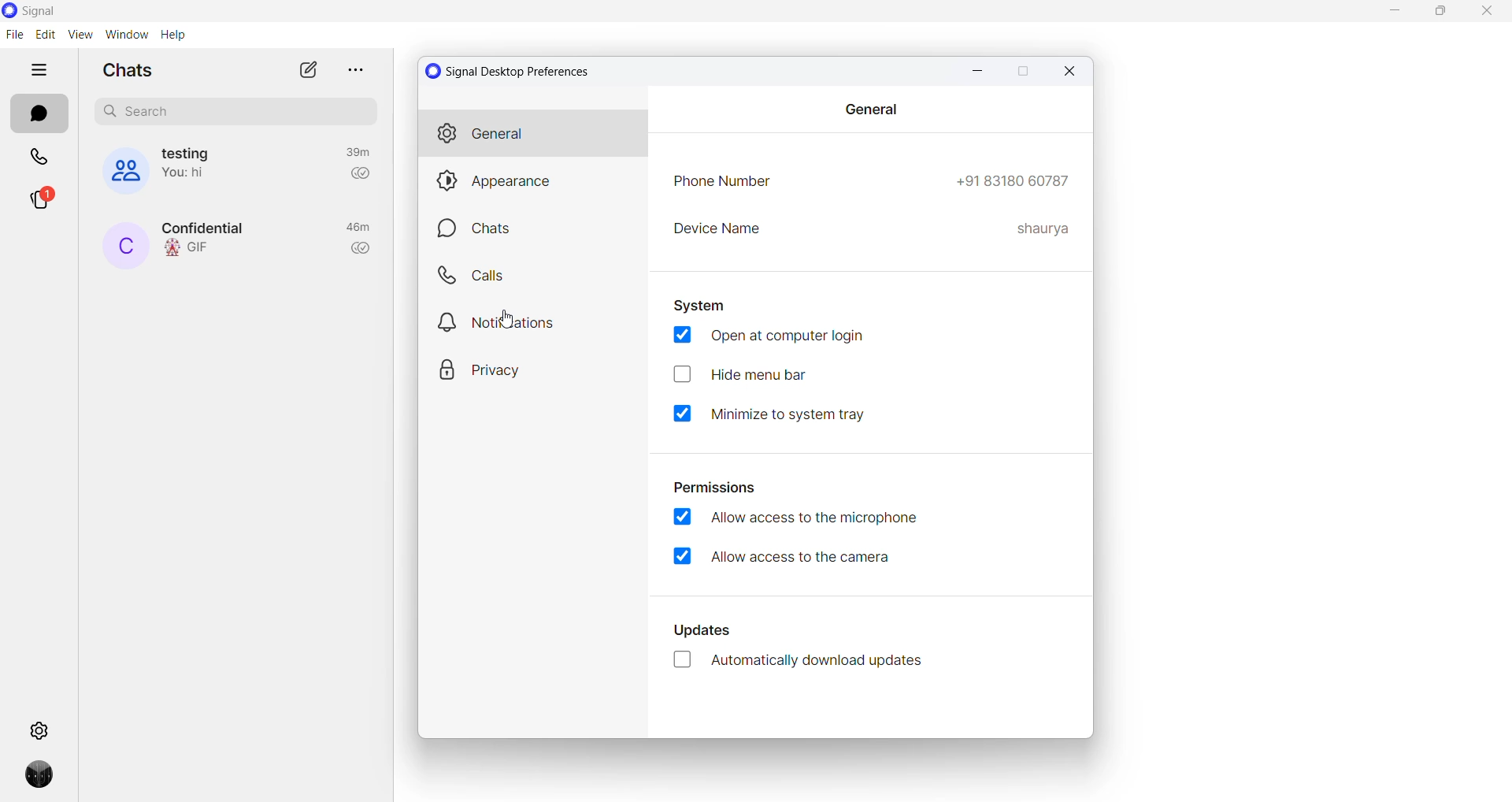  I want to click on stories, so click(39, 204).